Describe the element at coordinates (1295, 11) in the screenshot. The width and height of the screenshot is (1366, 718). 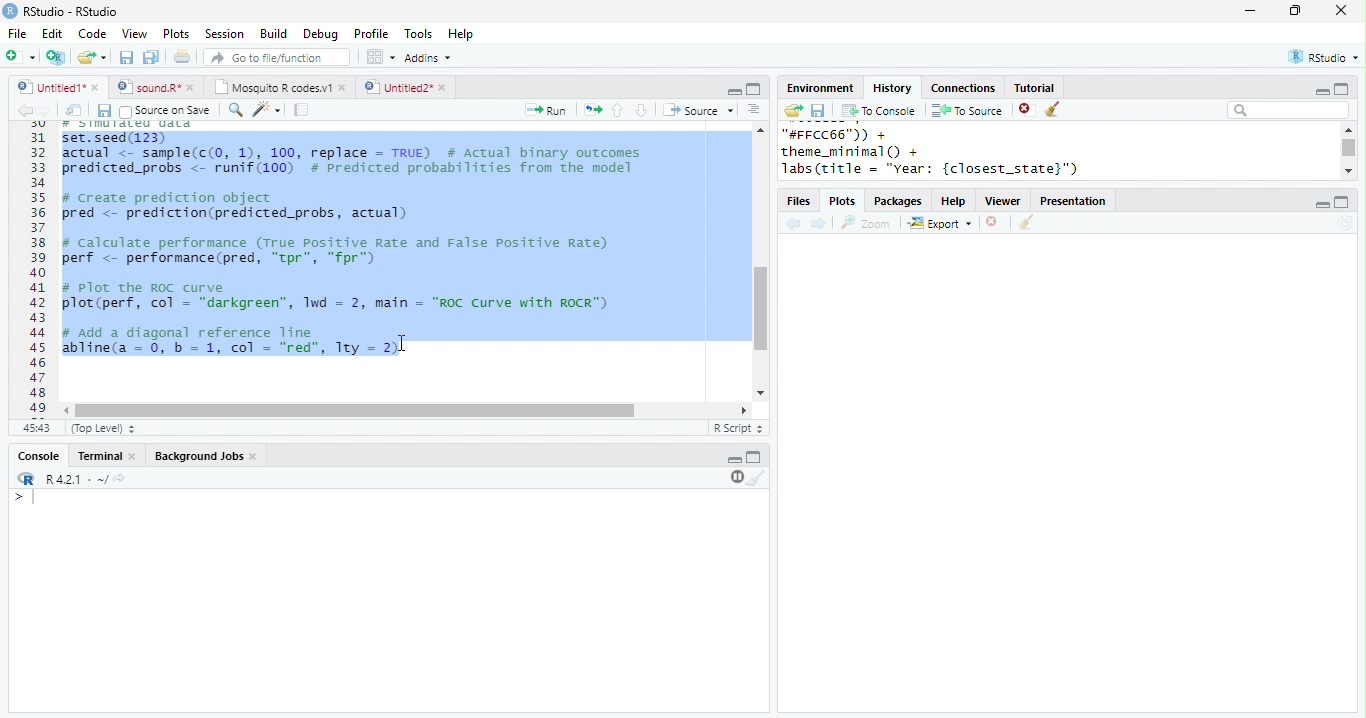
I see `resize` at that location.